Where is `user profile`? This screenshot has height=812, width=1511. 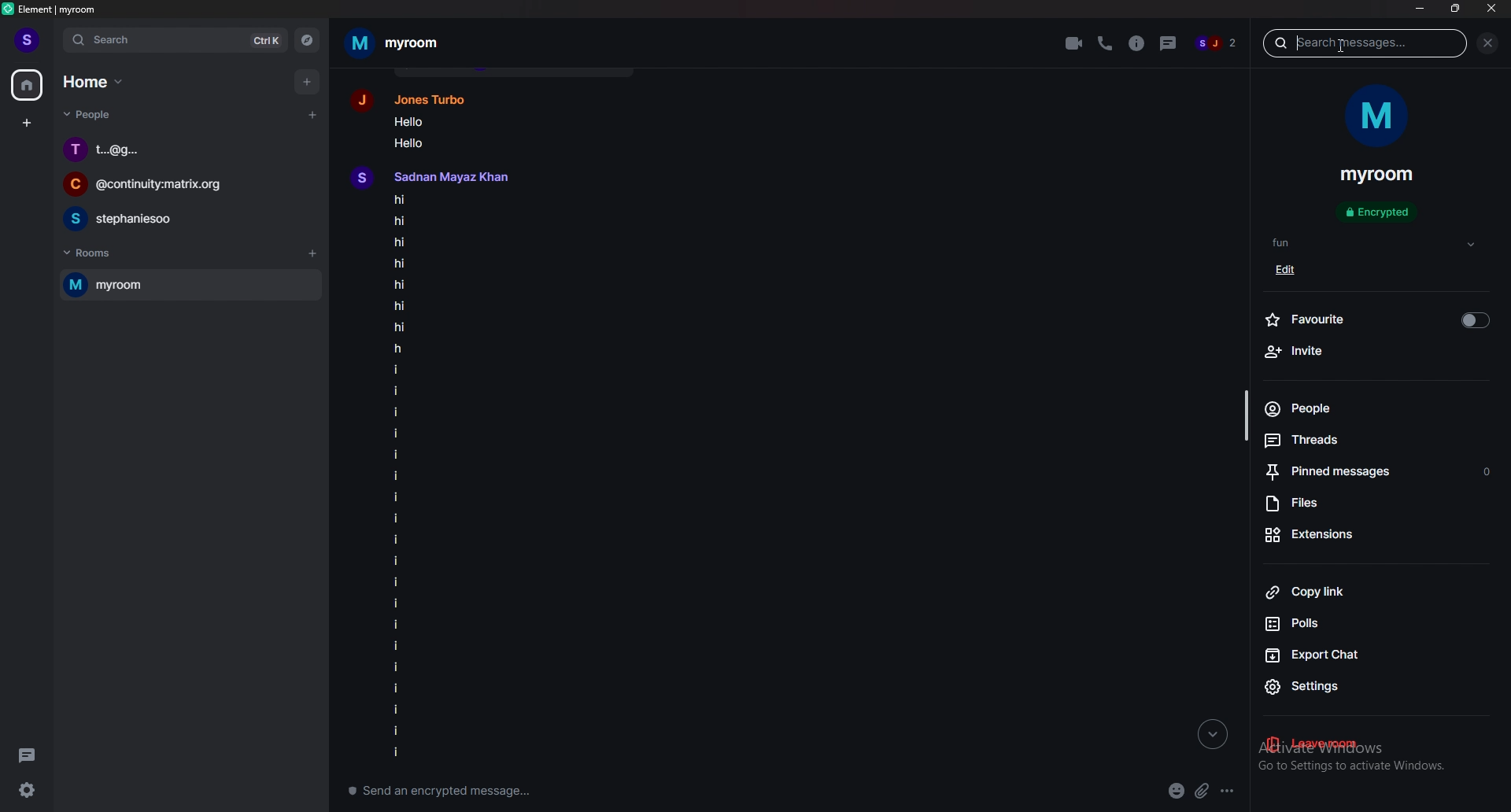
user profile is located at coordinates (447, 176).